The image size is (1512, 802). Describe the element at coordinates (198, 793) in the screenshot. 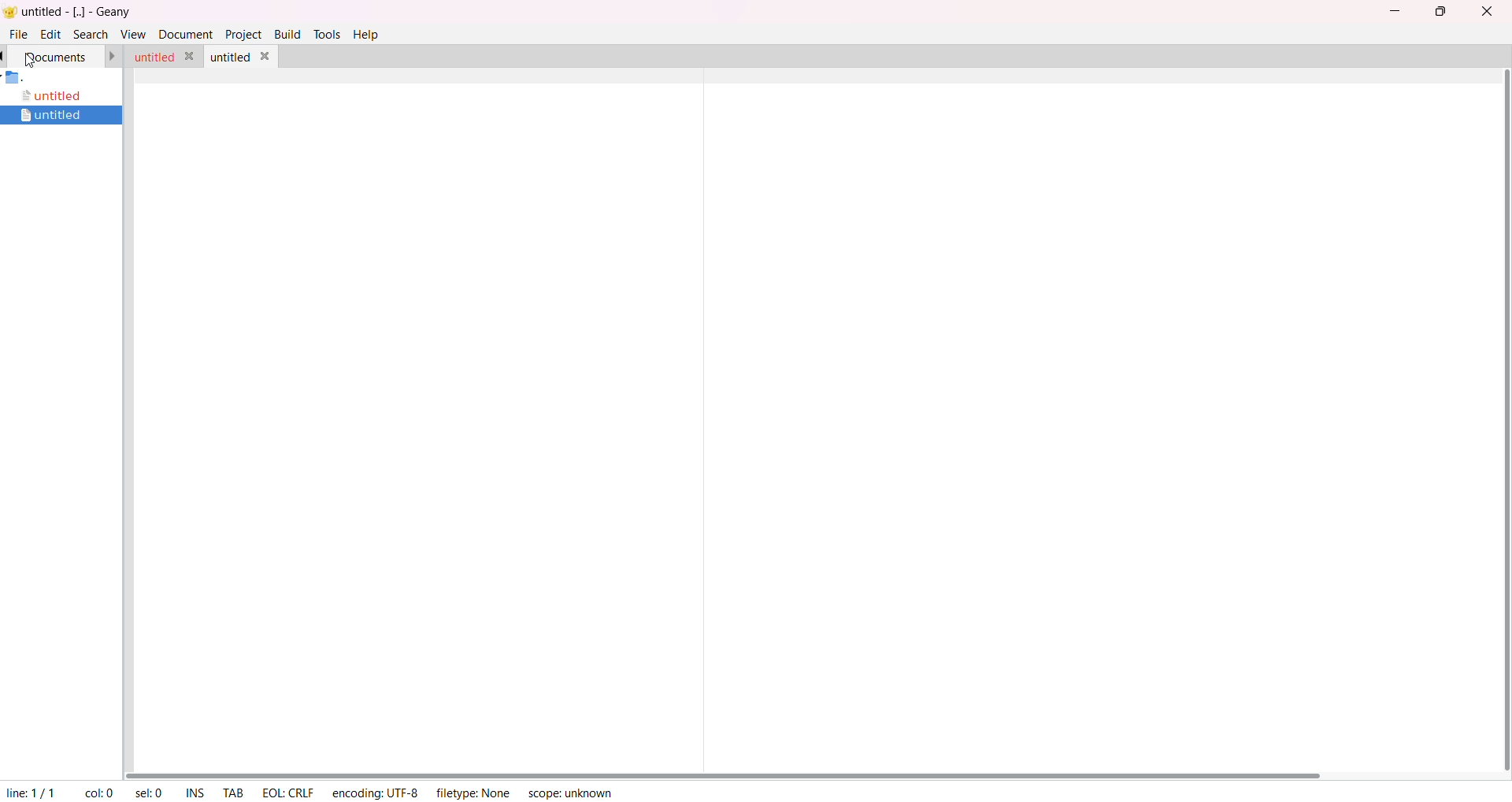

I see `ins` at that location.